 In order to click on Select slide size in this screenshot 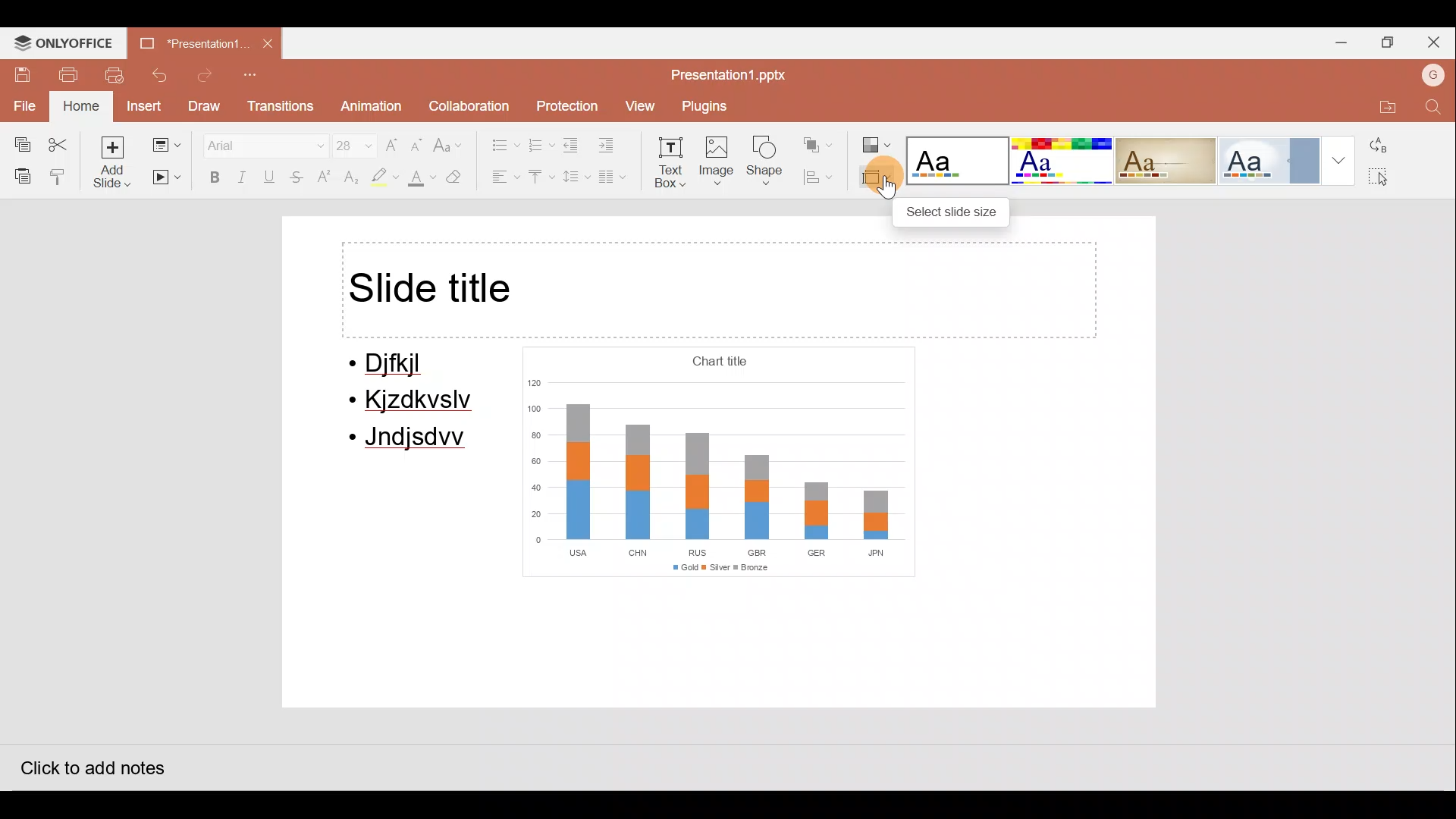, I will do `click(874, 178)`.